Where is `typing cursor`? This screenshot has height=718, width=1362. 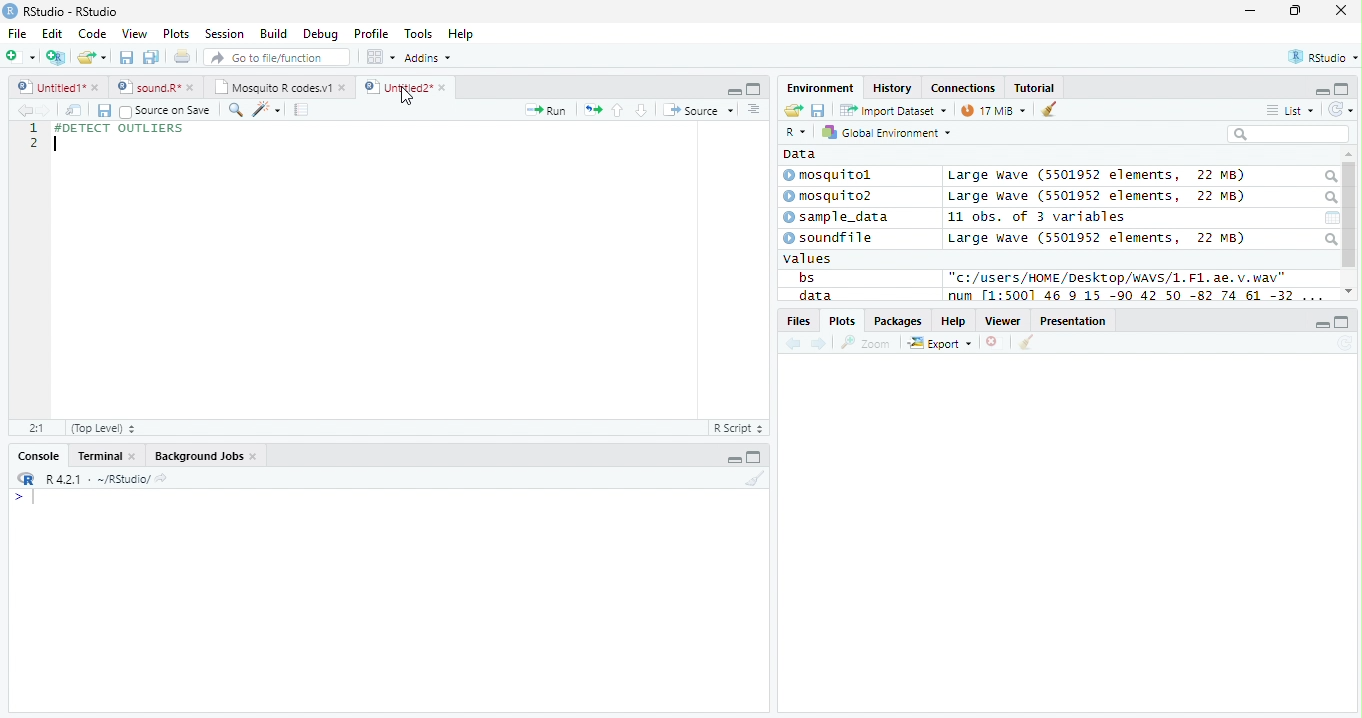 typing cursor is located at coordinates (55, 144).